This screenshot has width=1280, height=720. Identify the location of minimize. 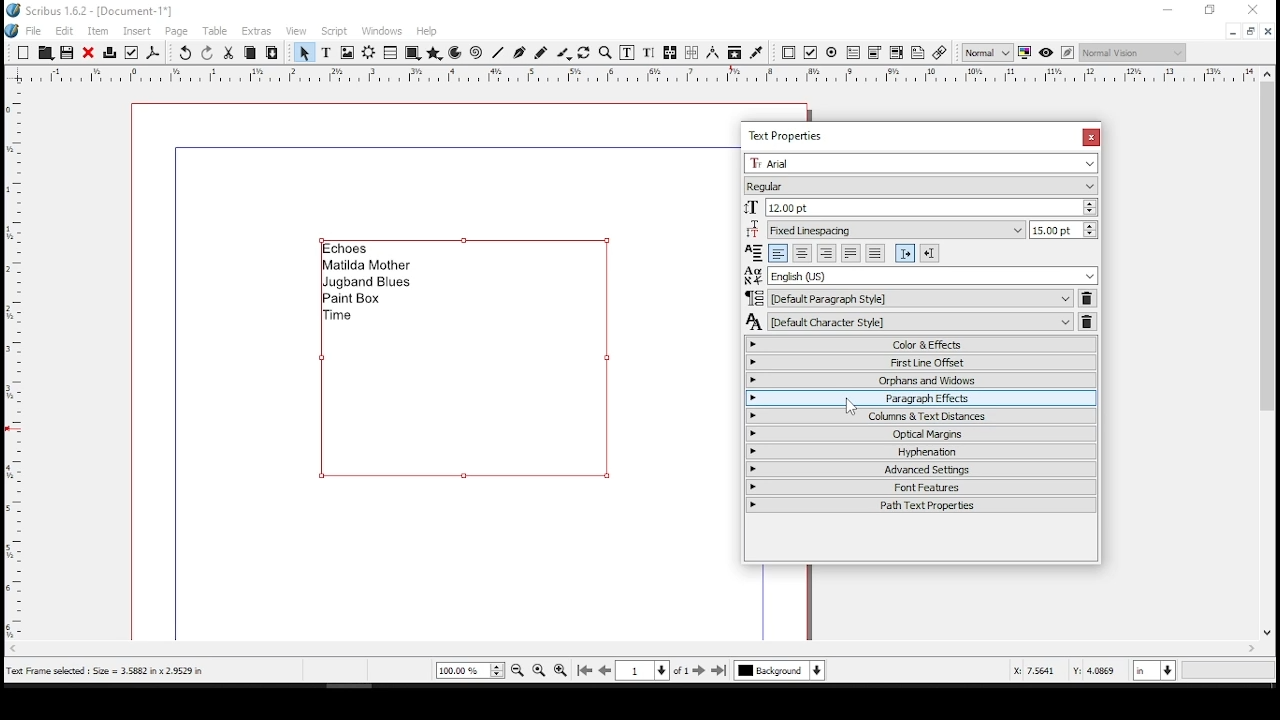
(1232, 32).